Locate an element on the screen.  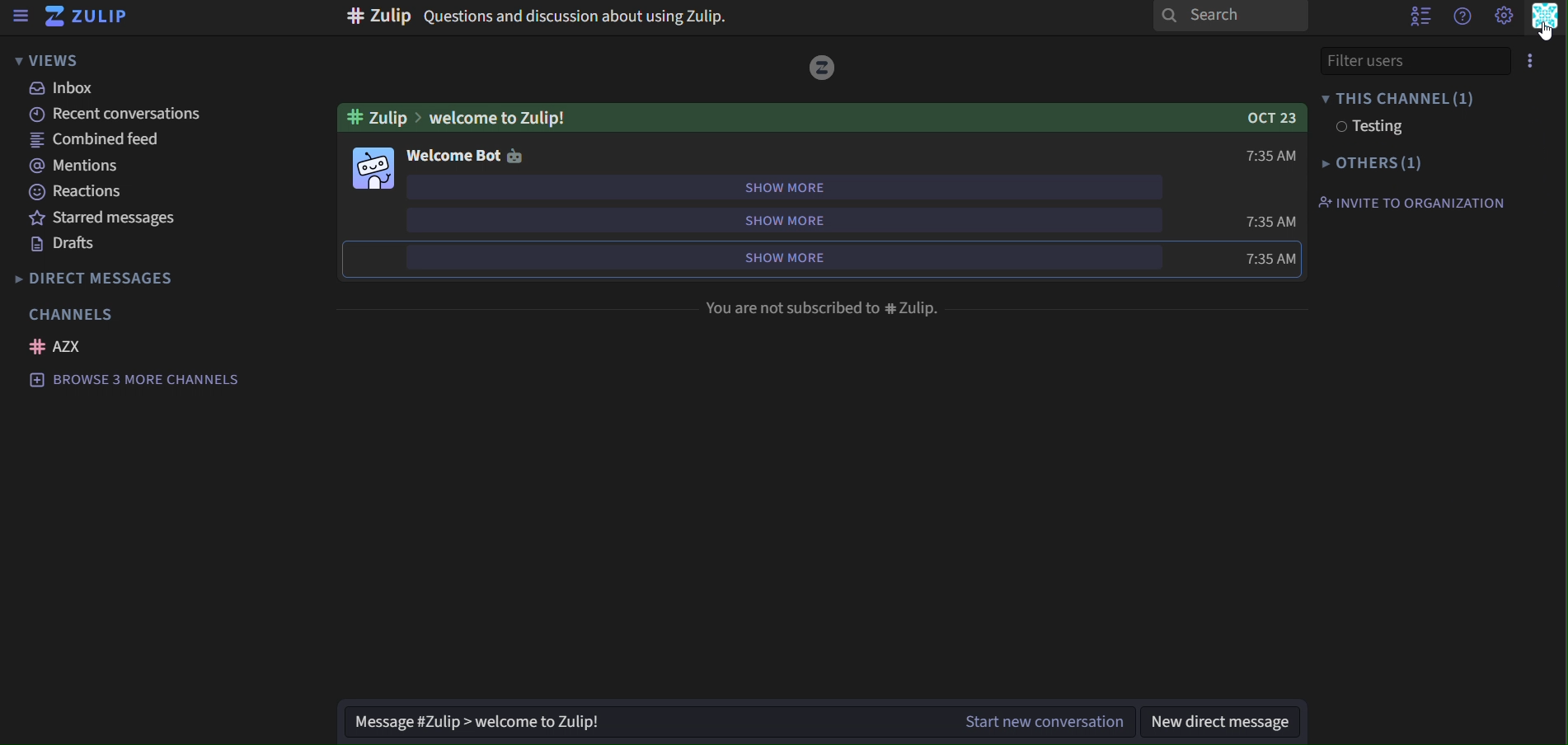
7:35AM is located at coordinates (1272, 259).